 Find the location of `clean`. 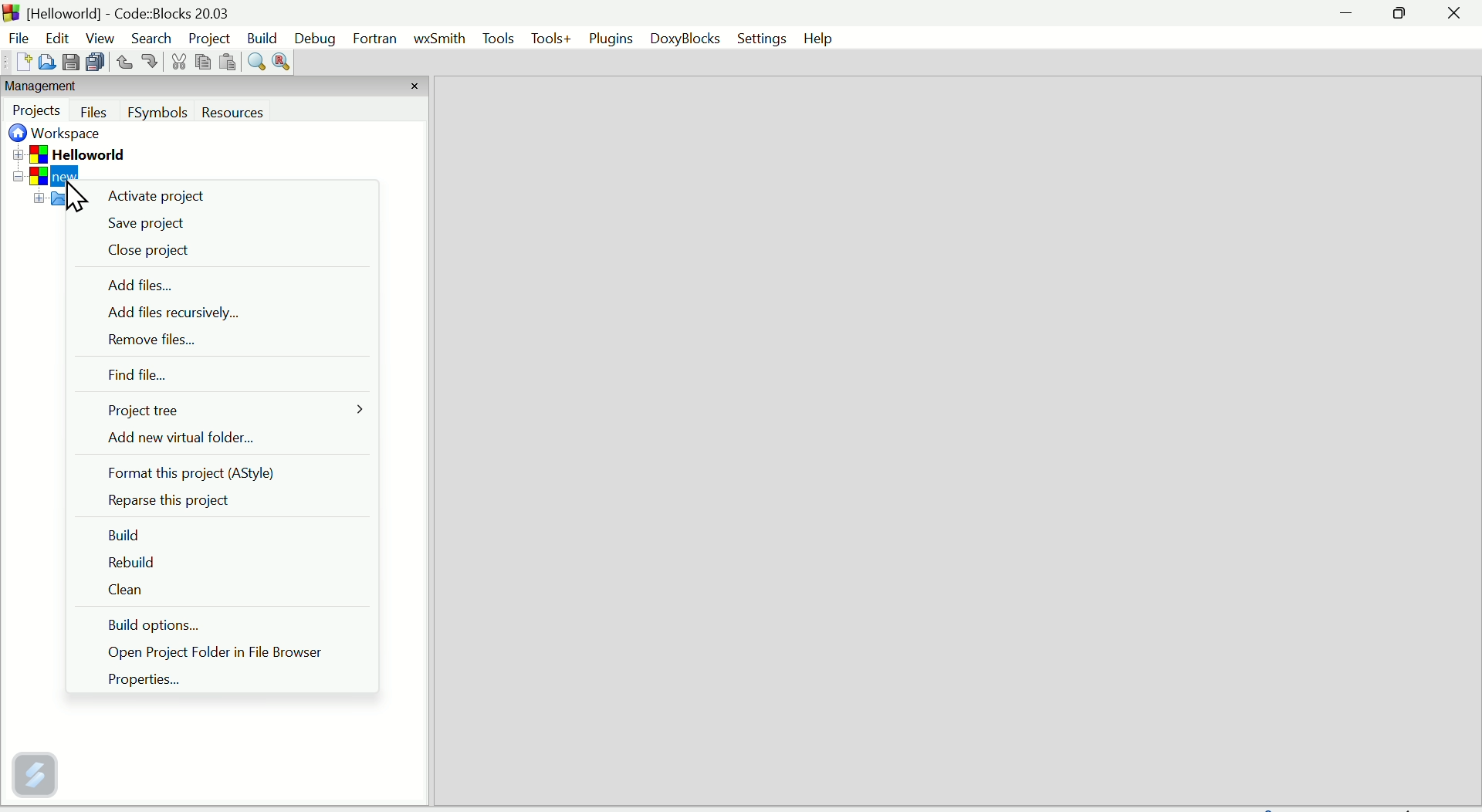

clean is located at coordinates (127, 594).